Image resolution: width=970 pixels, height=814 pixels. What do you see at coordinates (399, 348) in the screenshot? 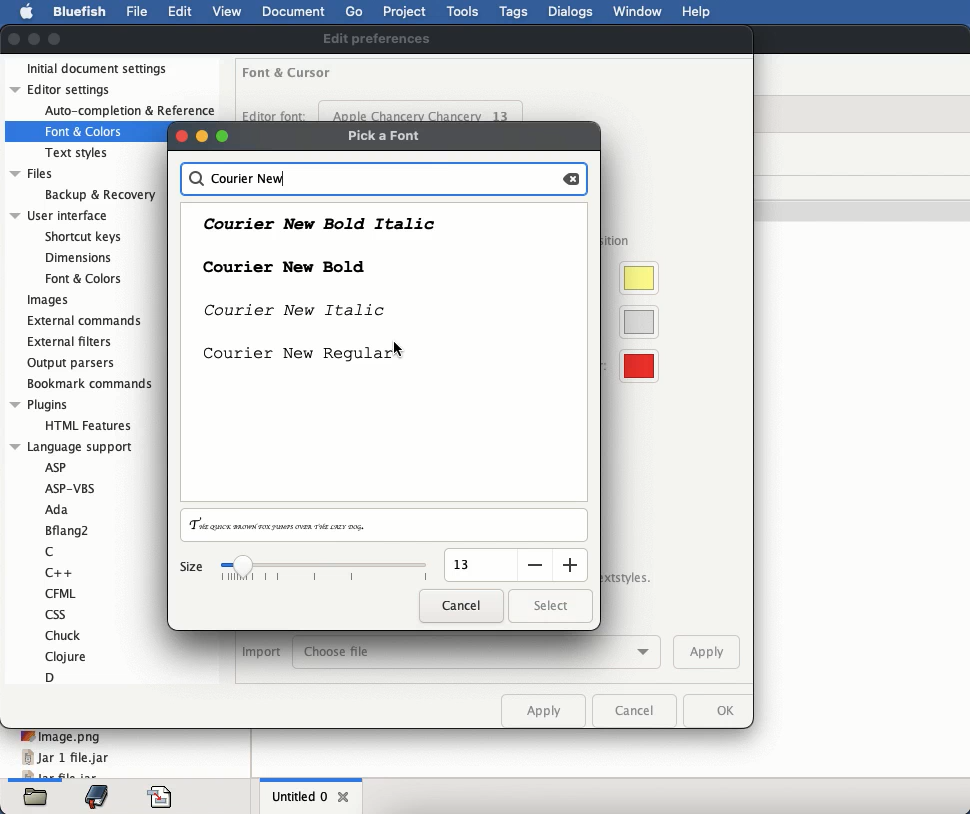
I see `Cursor` at bounding box center [399, 348].